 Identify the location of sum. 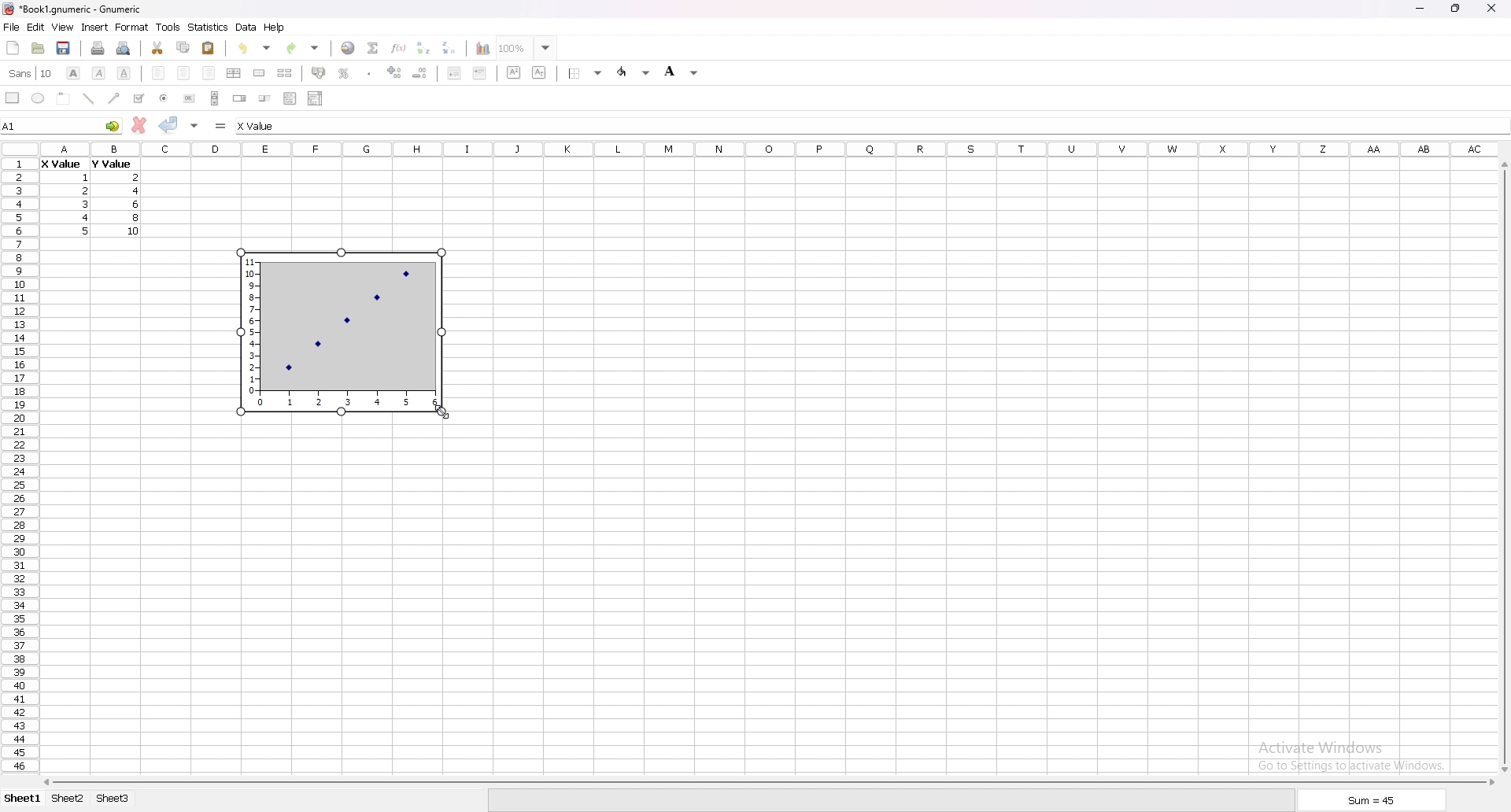
(1372, 803).